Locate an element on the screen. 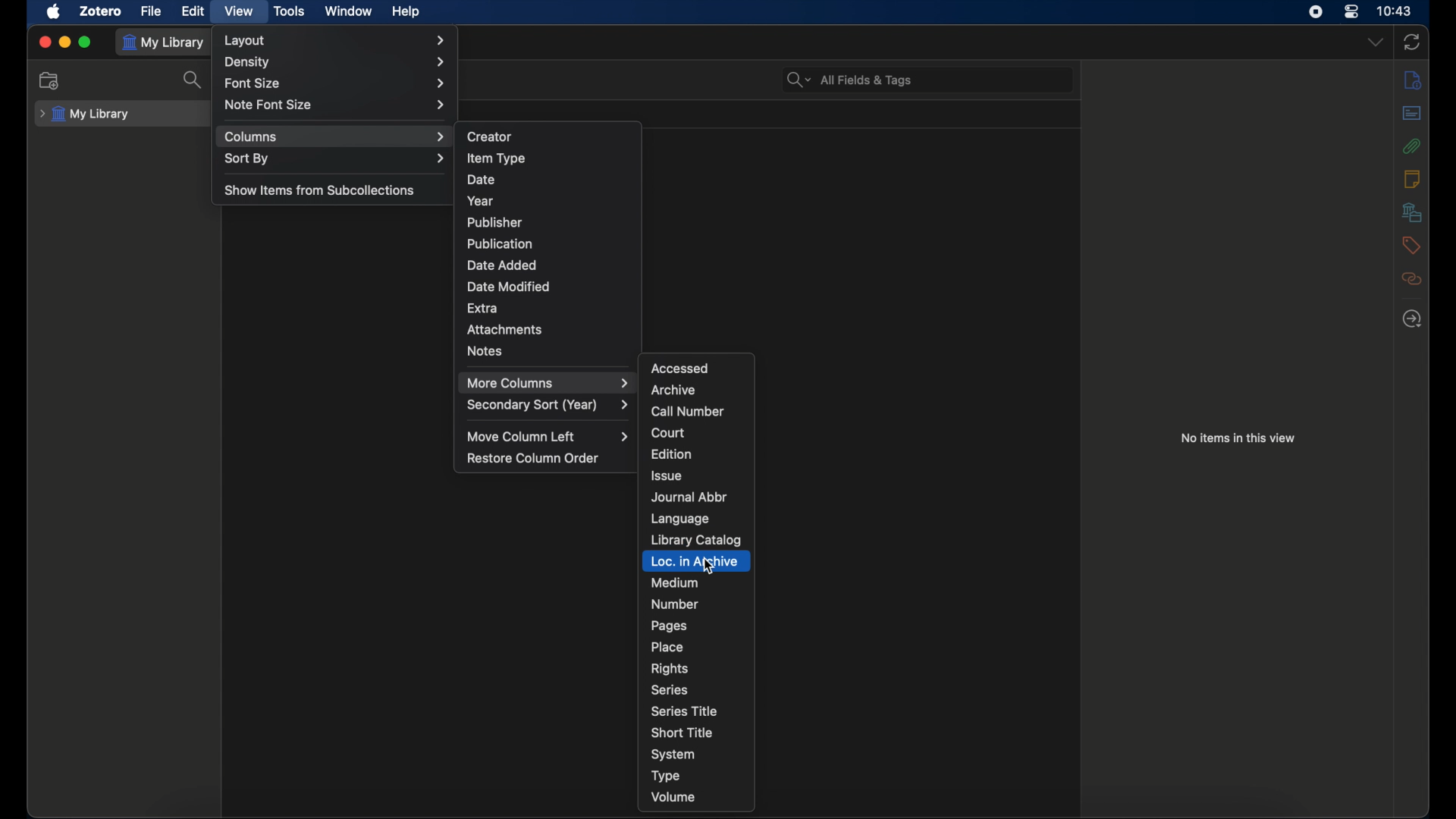 This screenshot has width=1456, height=819. issue is located at coordinates (666, 475).